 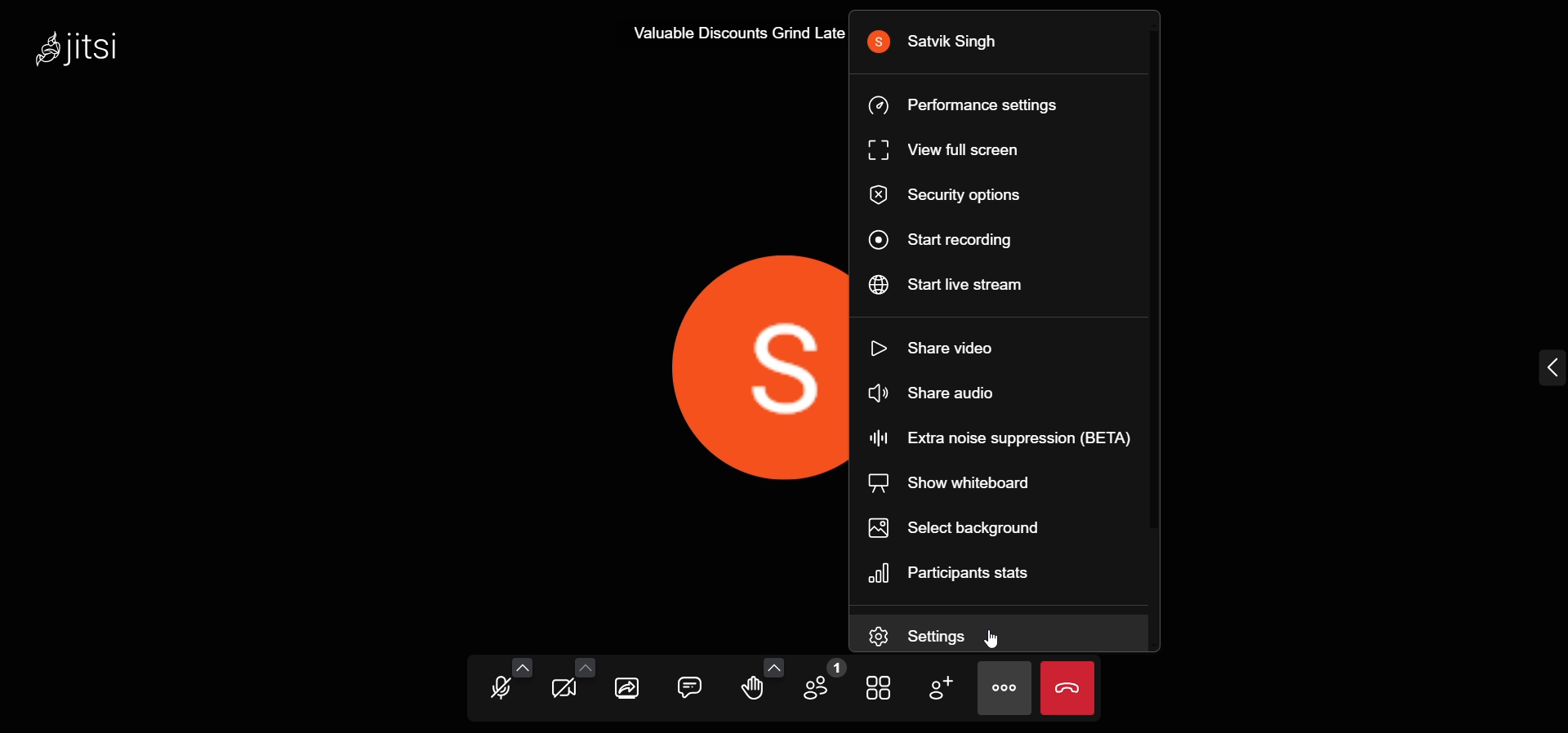 I want to click on leave meeting, so click(x=1073, y=691).